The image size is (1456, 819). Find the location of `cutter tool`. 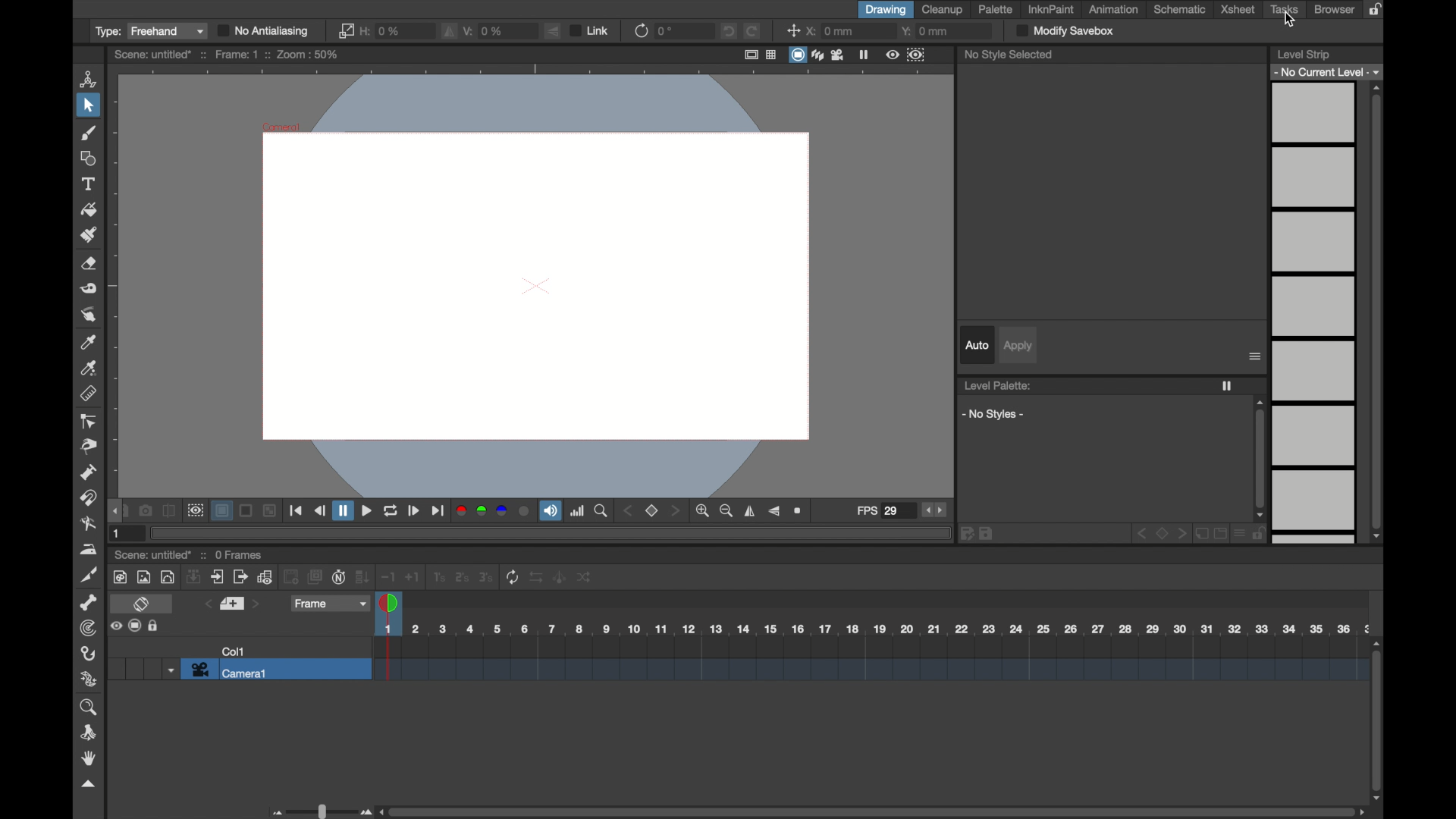

cutter tool is located at coordinates (86, 574).